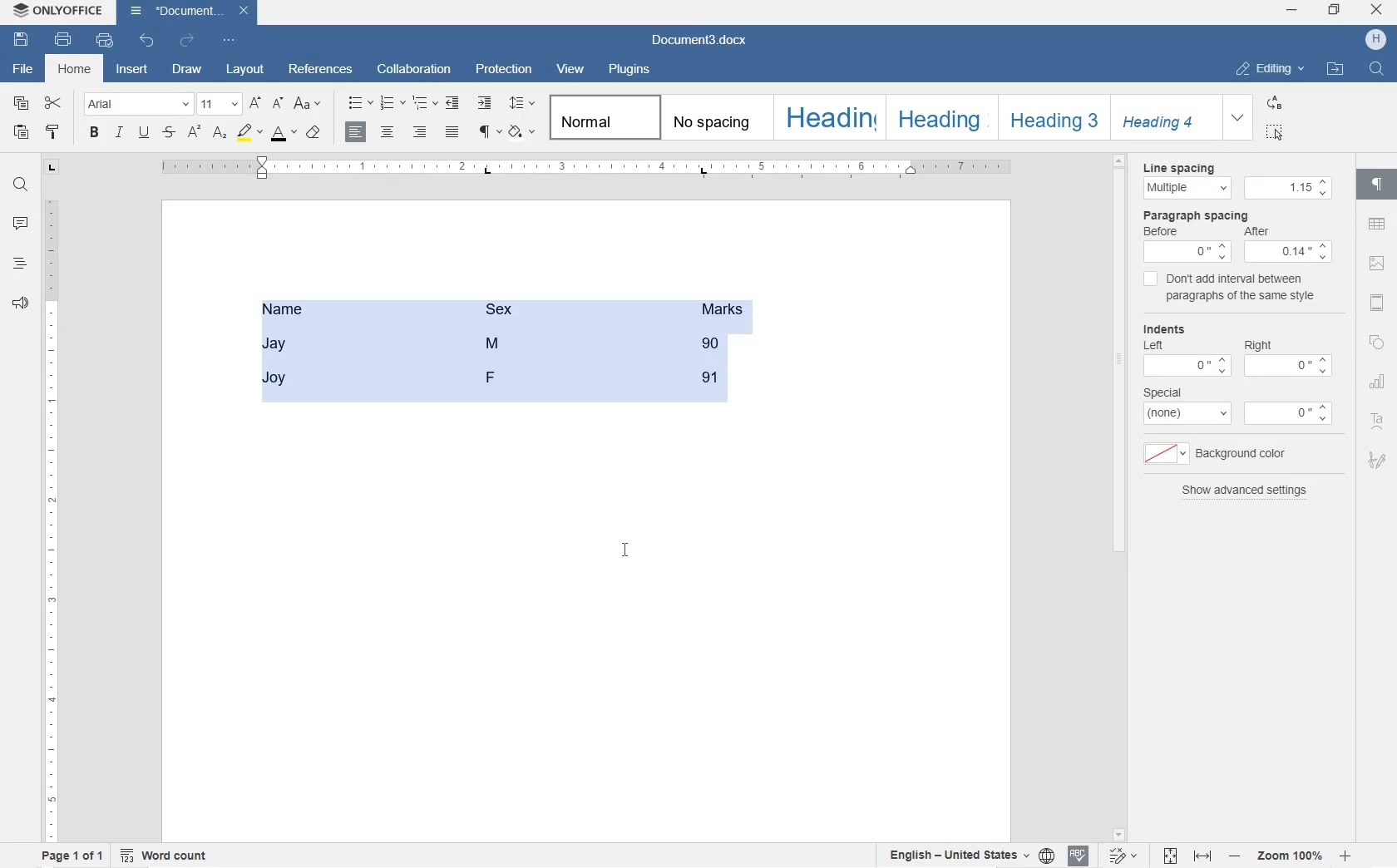 This screenshot has height=868, width=1397. Describe the element at coordinates (18, 263) in the screenshot. I see `HEADINGS` at that location.